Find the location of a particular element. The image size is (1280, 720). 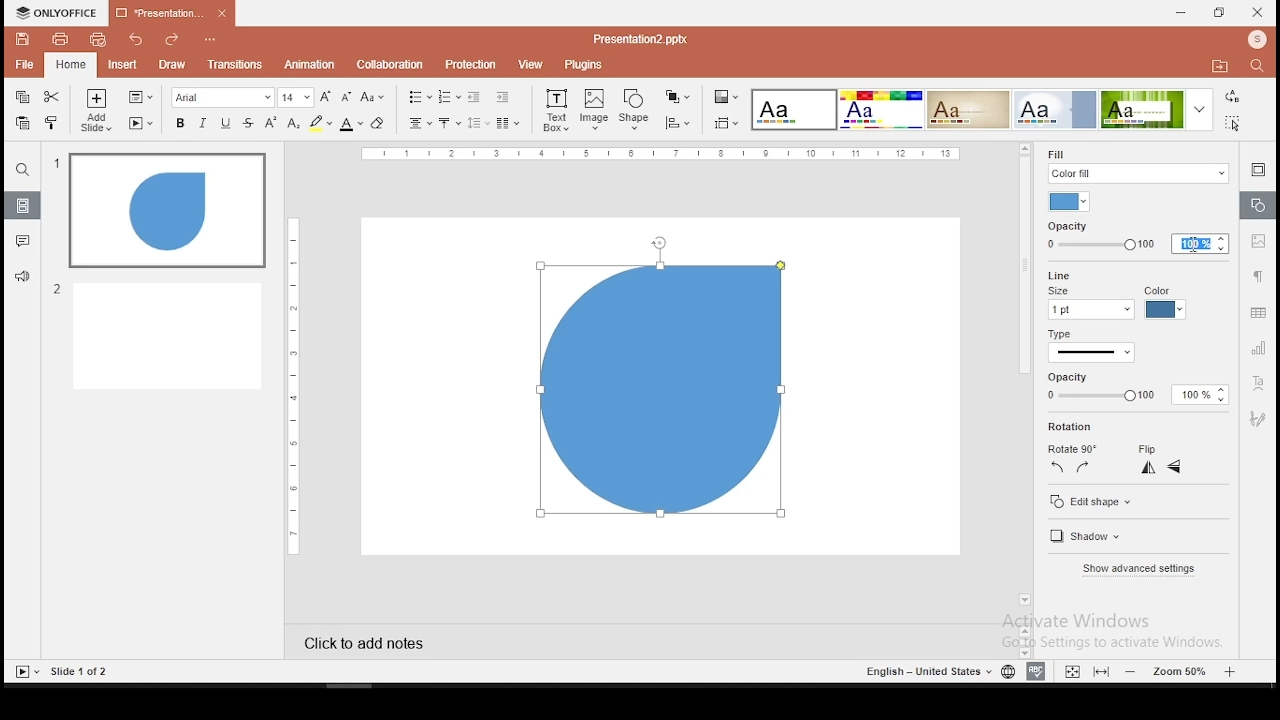

underline is located at coordinates (226, 123).